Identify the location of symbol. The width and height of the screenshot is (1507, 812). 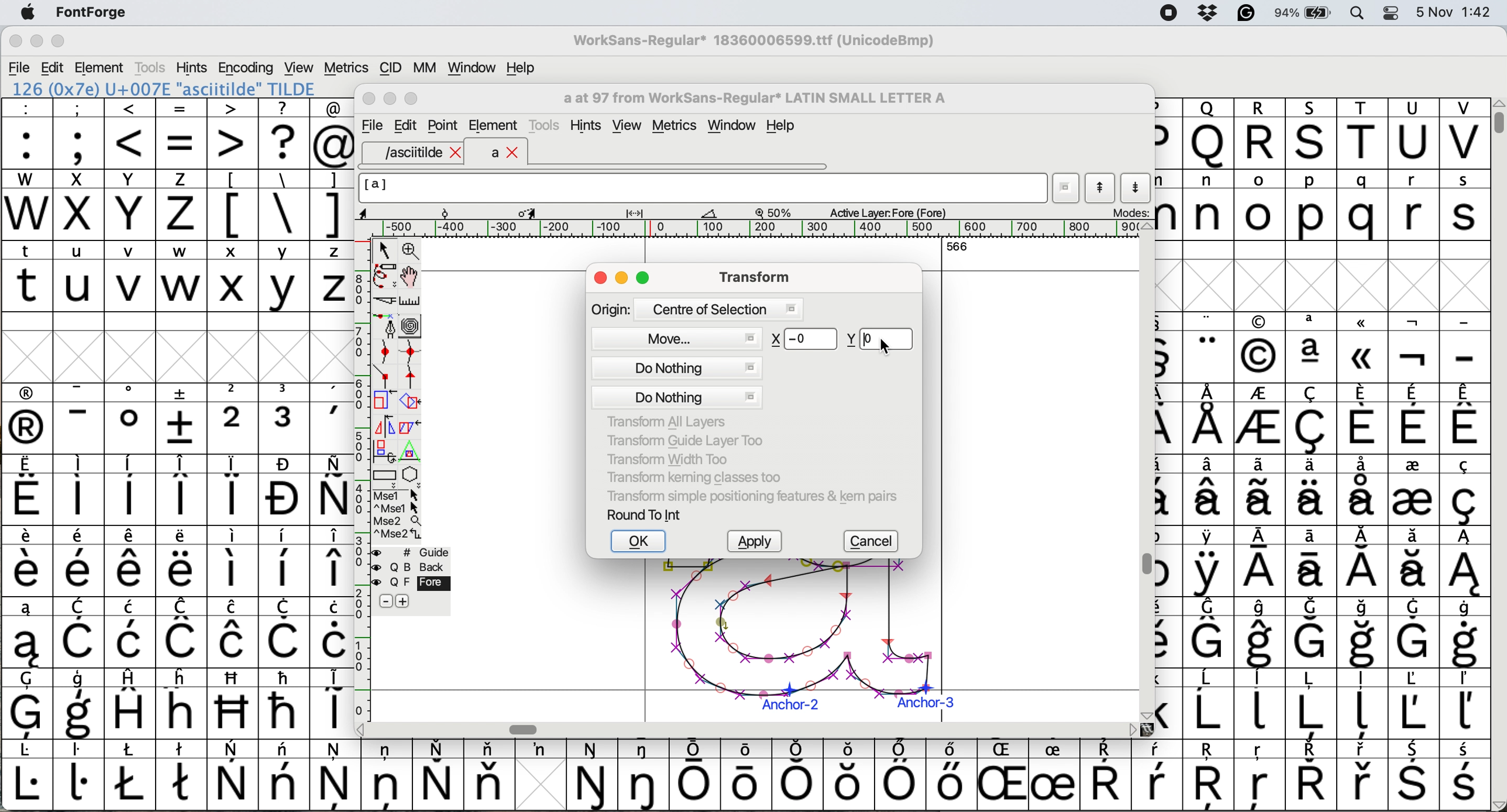
(80, 705).